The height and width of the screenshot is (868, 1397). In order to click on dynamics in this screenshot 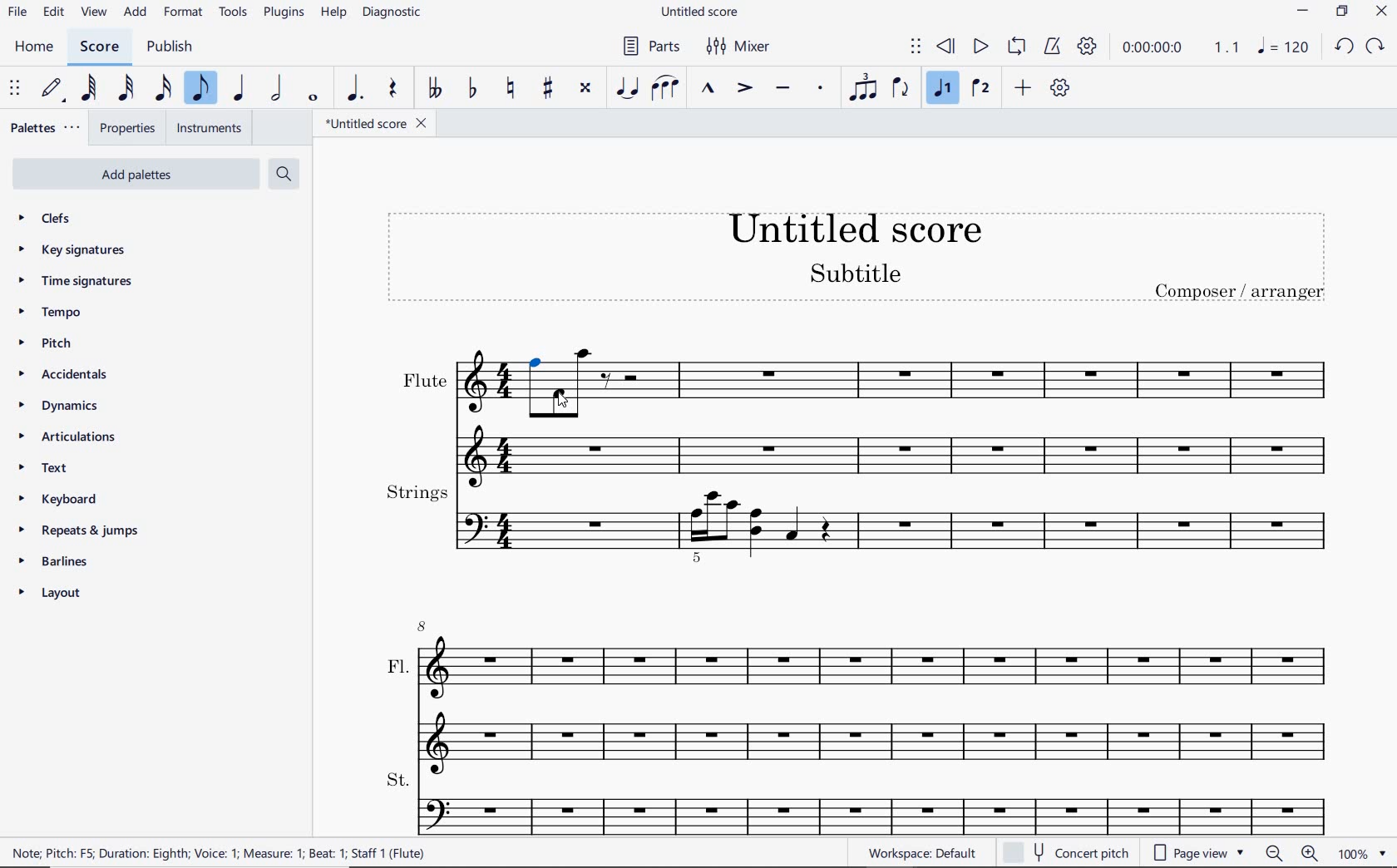, I will do `click(58, 407)`.